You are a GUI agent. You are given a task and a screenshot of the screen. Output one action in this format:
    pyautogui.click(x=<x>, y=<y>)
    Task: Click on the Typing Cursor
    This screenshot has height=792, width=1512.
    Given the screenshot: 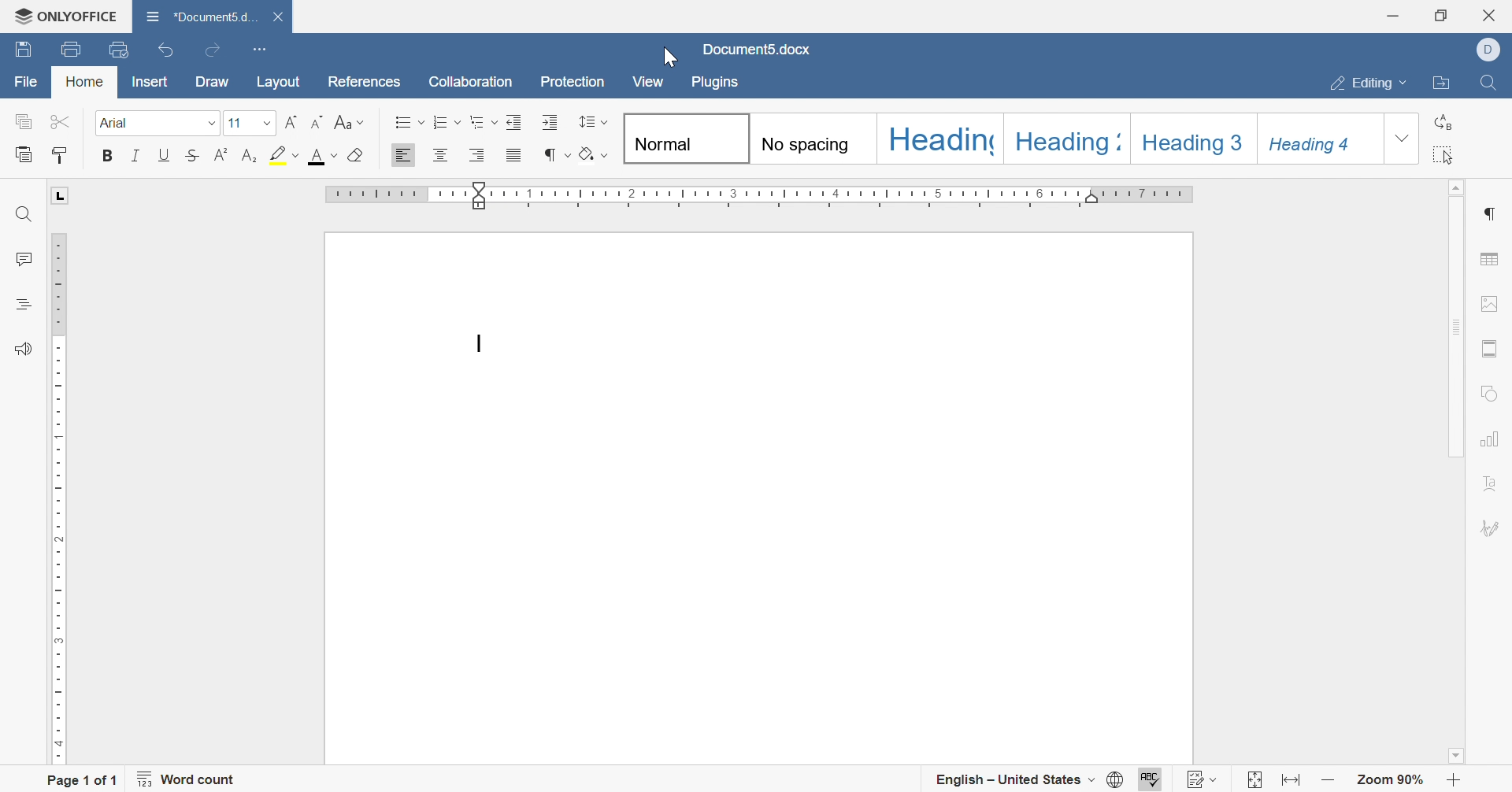 What is the action you would take?
    pyautogui.click(x=483, y=343)
    